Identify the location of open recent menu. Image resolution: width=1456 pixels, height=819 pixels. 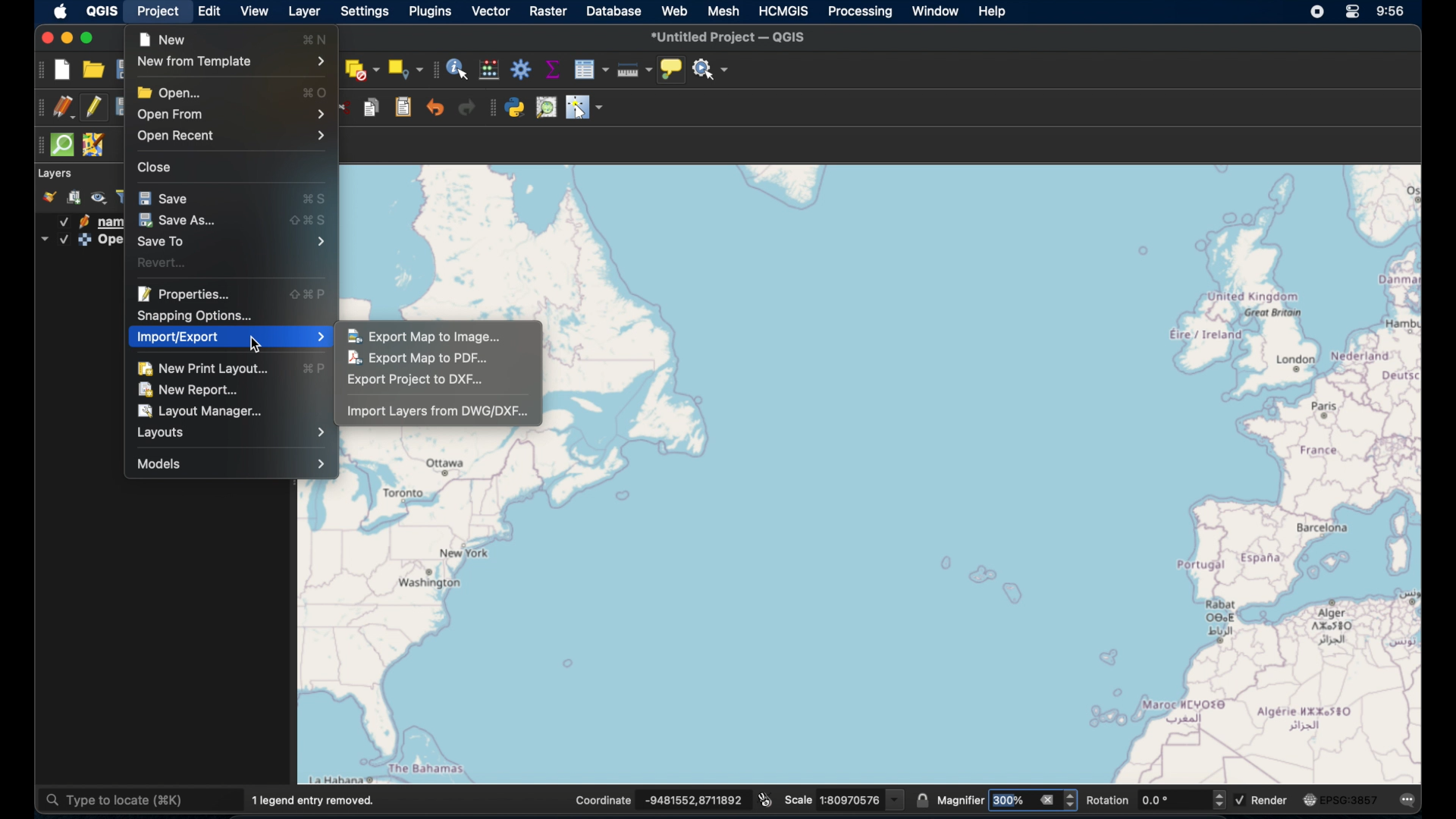
(234, 136).